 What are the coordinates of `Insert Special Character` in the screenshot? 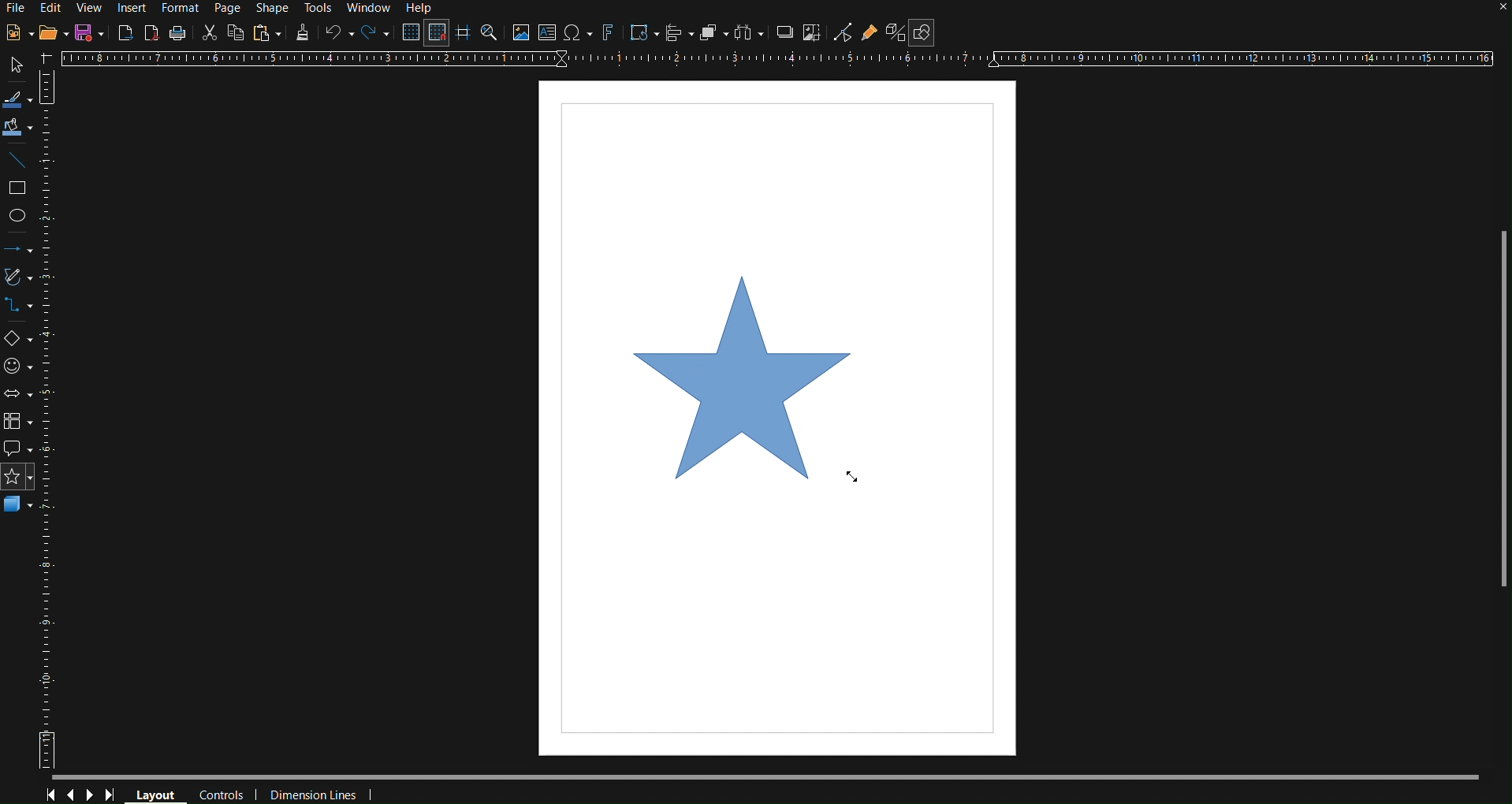 It's located at (577, 34).